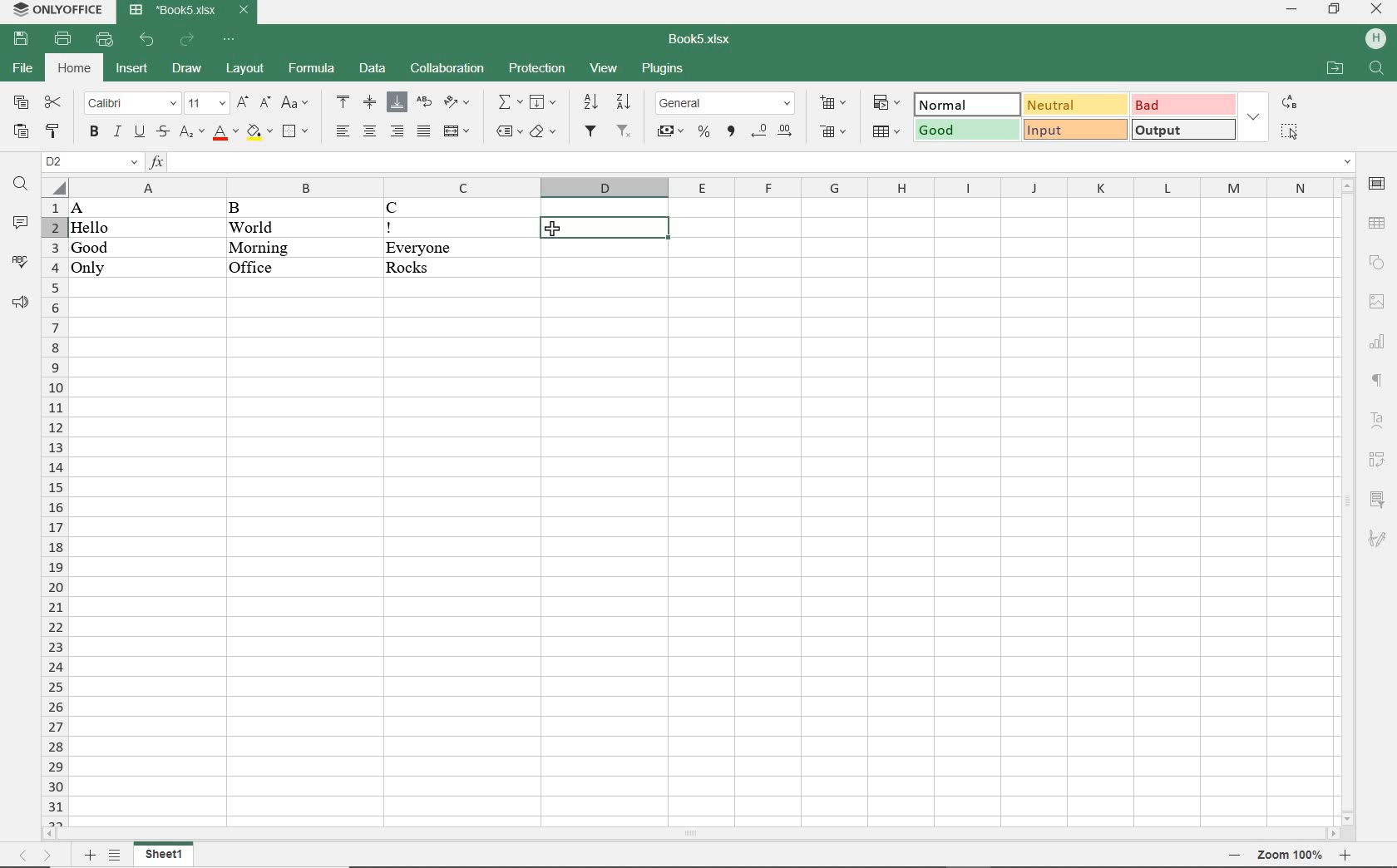 The height and width of the screenshot is (868, 1397). Describe the element at coordinates (245, 69) in the screenshot. I see `layout` at that location.